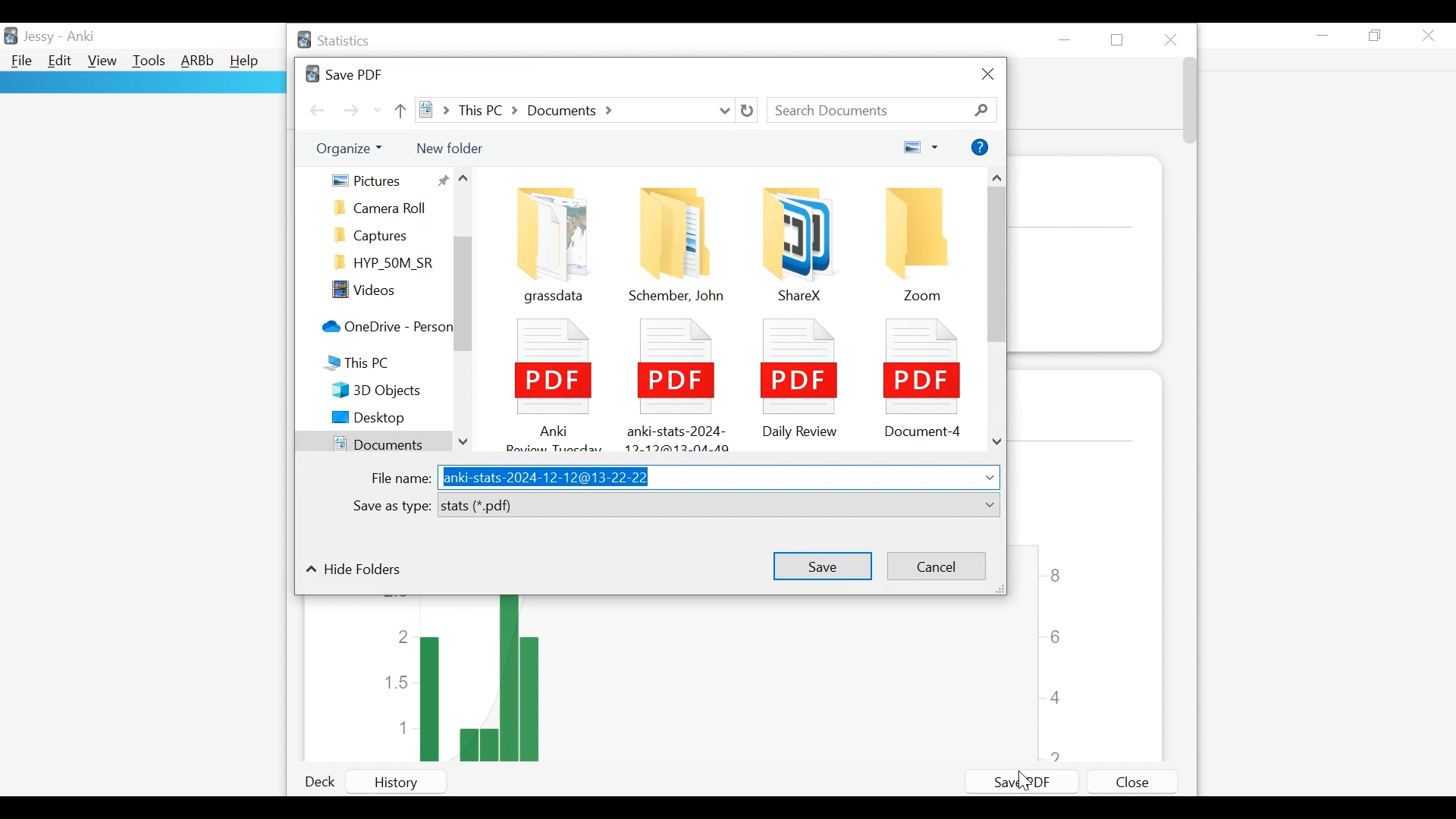  Describe the element at coordinates (142, 83) in the screenshot. I see `rectangle panel` at that location.